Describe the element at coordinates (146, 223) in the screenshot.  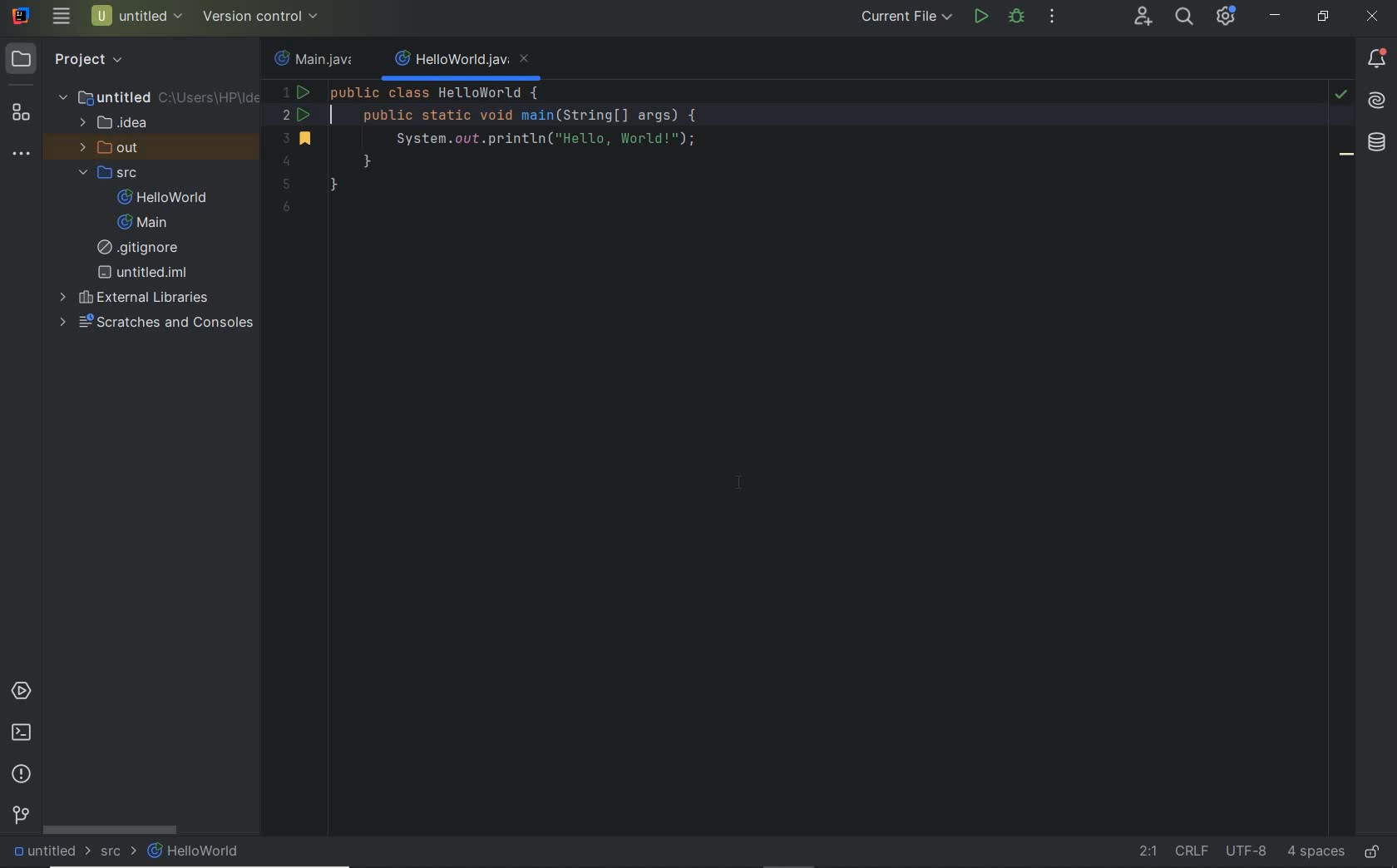
I see `Main` at that location.